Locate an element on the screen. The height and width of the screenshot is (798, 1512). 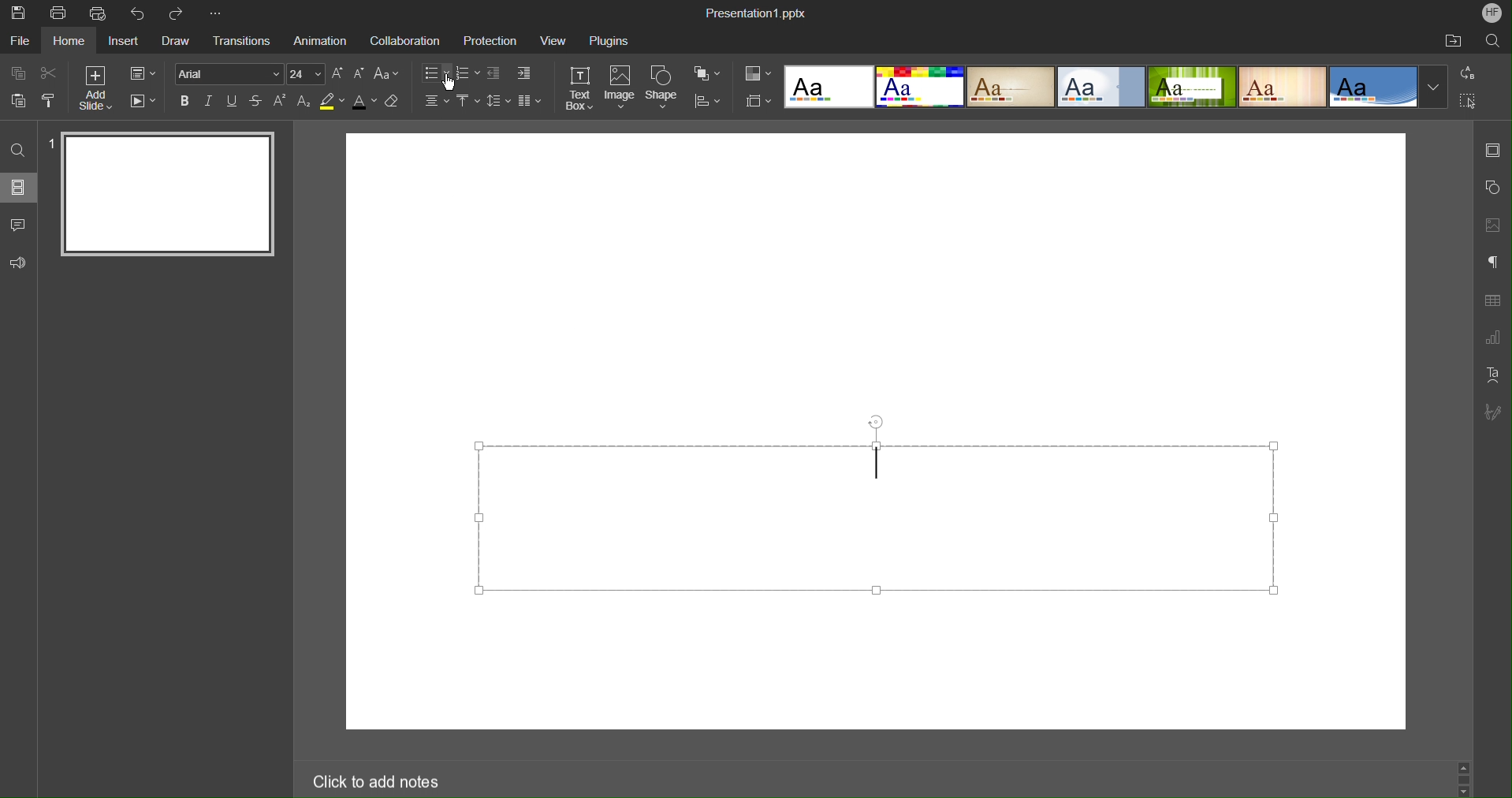
Copy Style is located at coordinates (48, 101).